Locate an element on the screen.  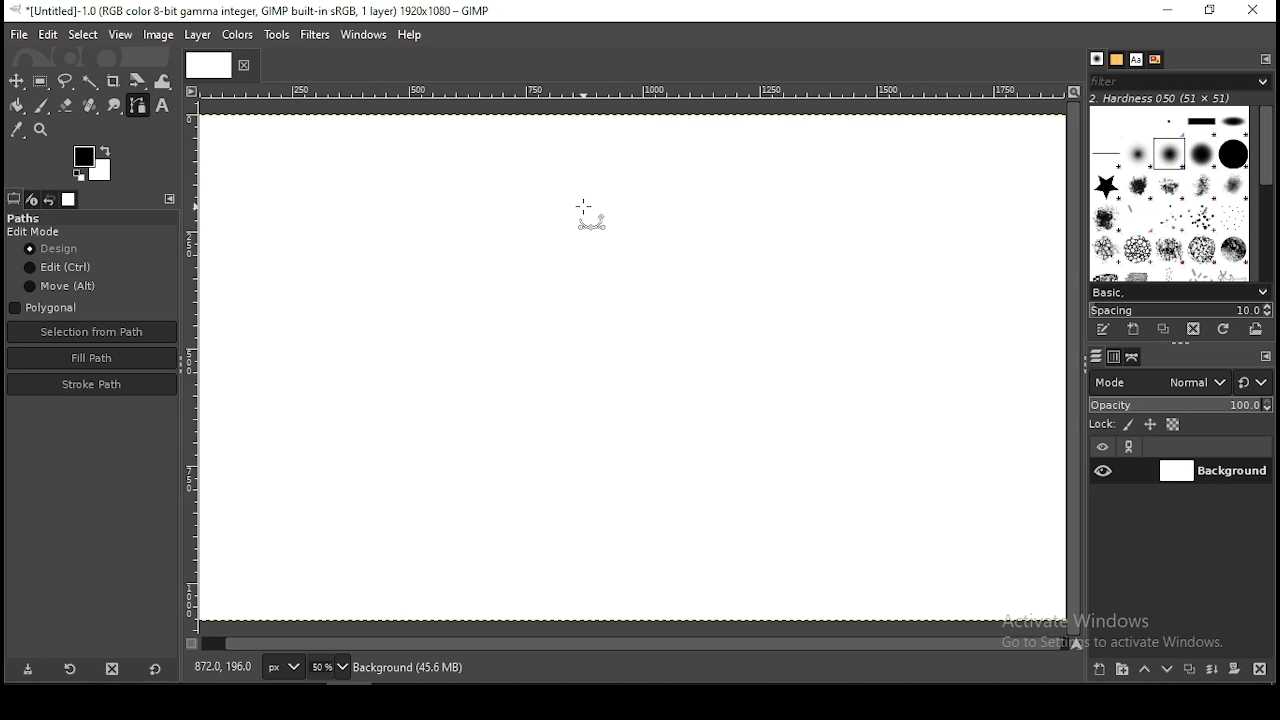
edit mode is located at coordinates (36, 232).